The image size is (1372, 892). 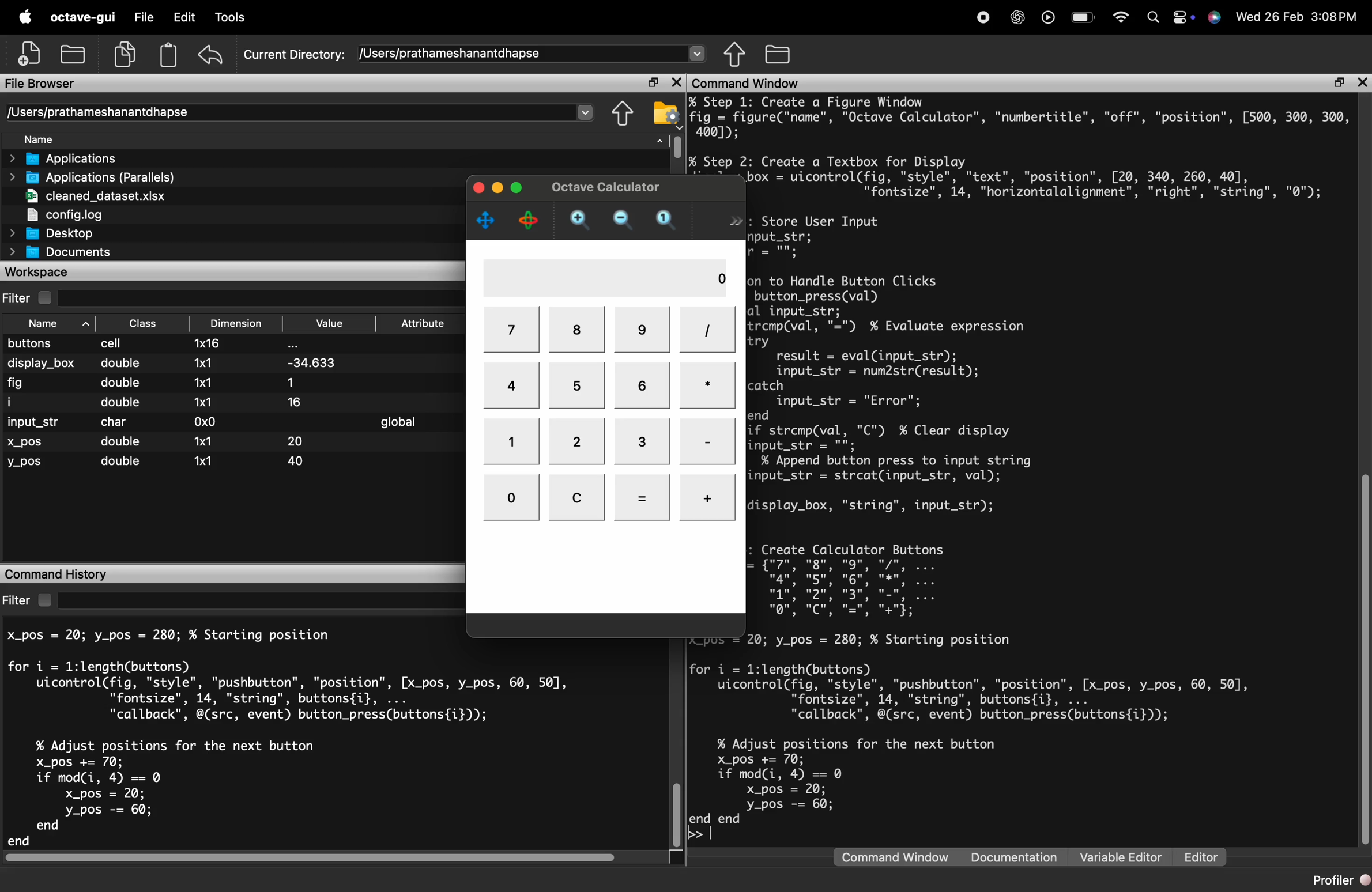 What do you see at coordinates (578, 329) in the screenshot?
I see `8` at bounding box center [578, 329].